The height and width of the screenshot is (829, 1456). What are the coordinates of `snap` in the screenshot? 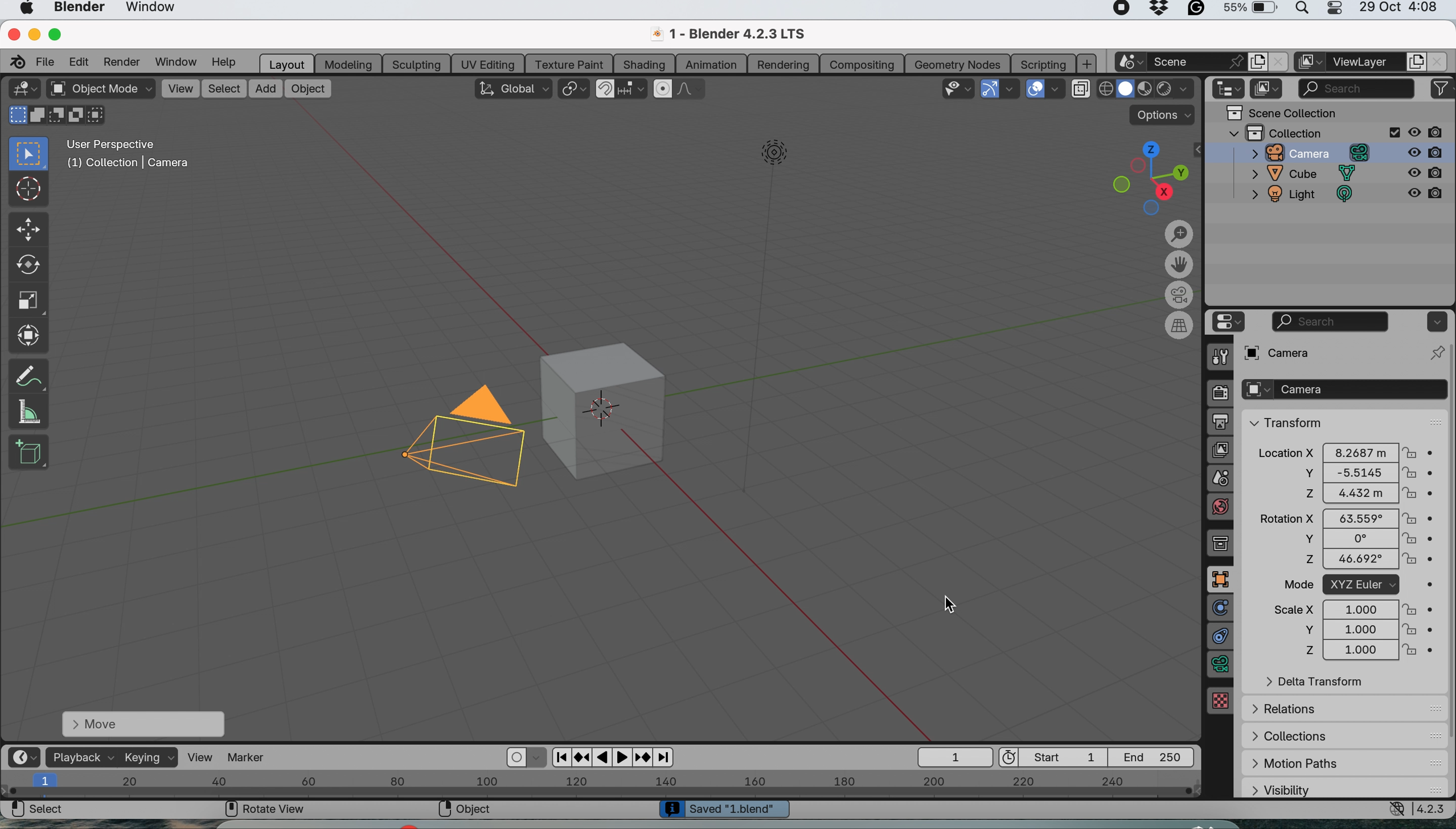 It's located at (606, 89).